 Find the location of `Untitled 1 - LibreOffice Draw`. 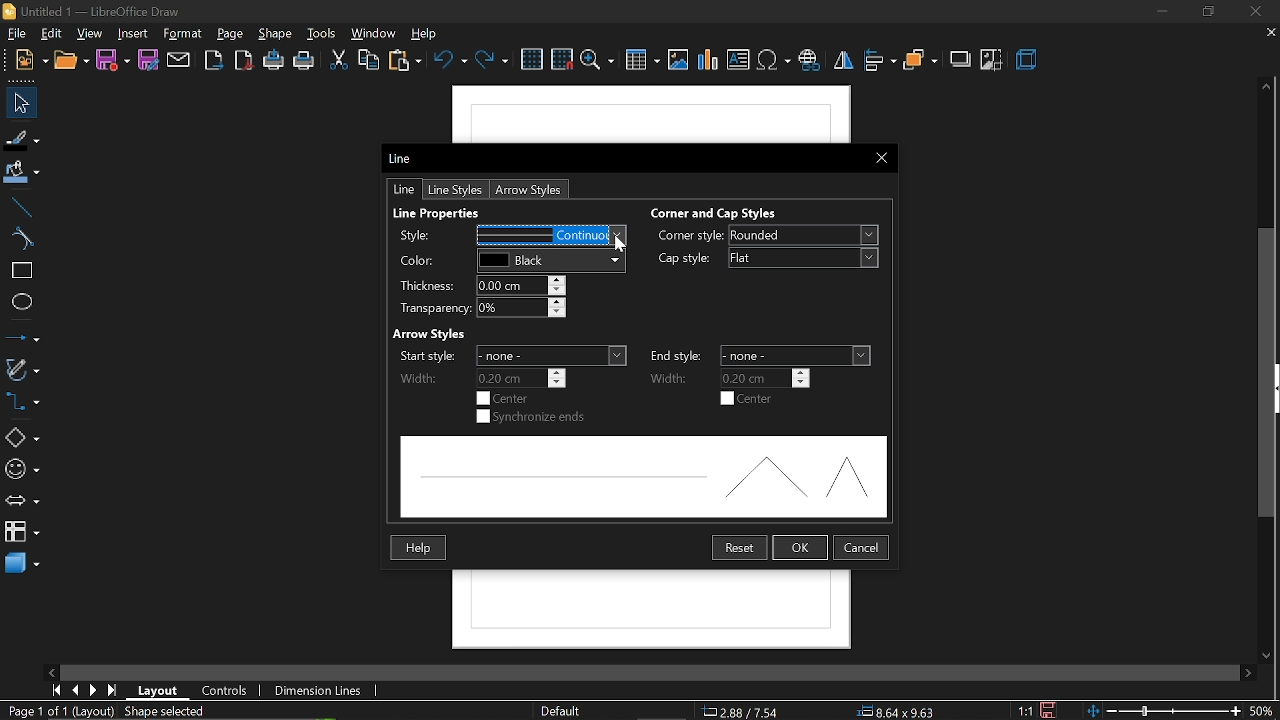

Untitled 1 - LibreOffice Draw is located at coordinates (93, 11).